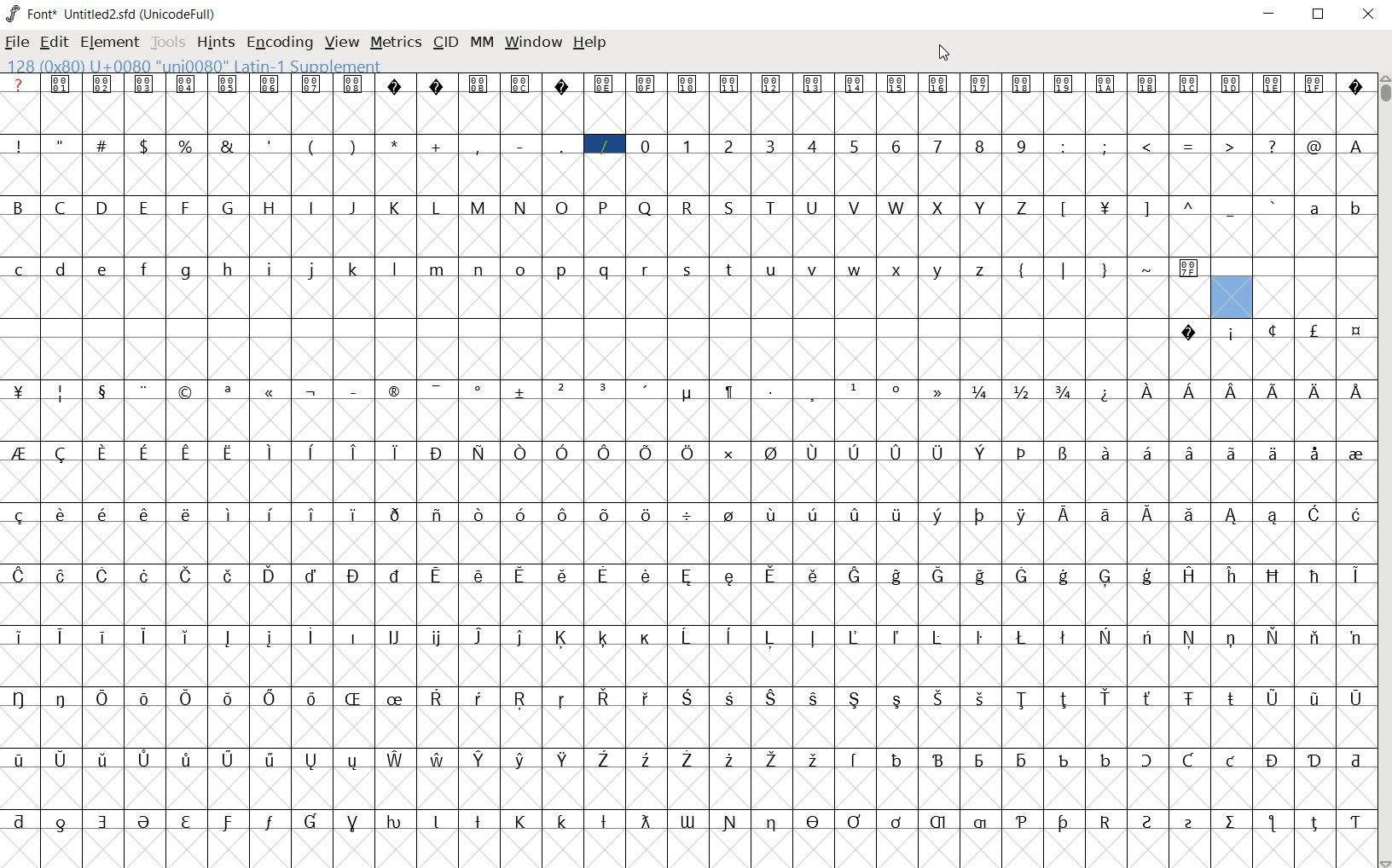  What do you see at coordinates (687, 84) in the screenshot?
I see `glyph` at bounding box center [687, 84].